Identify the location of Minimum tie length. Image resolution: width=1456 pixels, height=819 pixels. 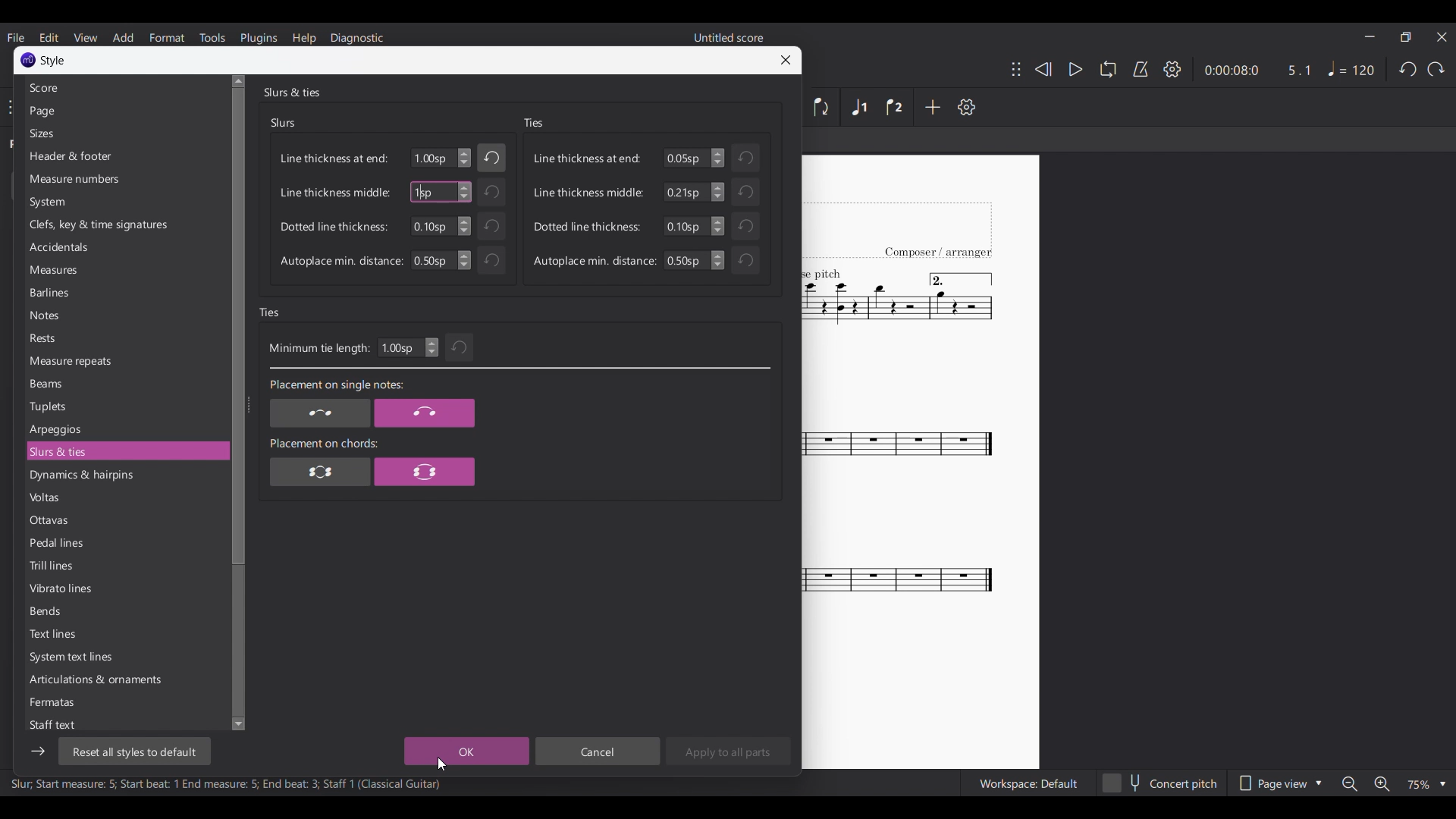
(318, 349).